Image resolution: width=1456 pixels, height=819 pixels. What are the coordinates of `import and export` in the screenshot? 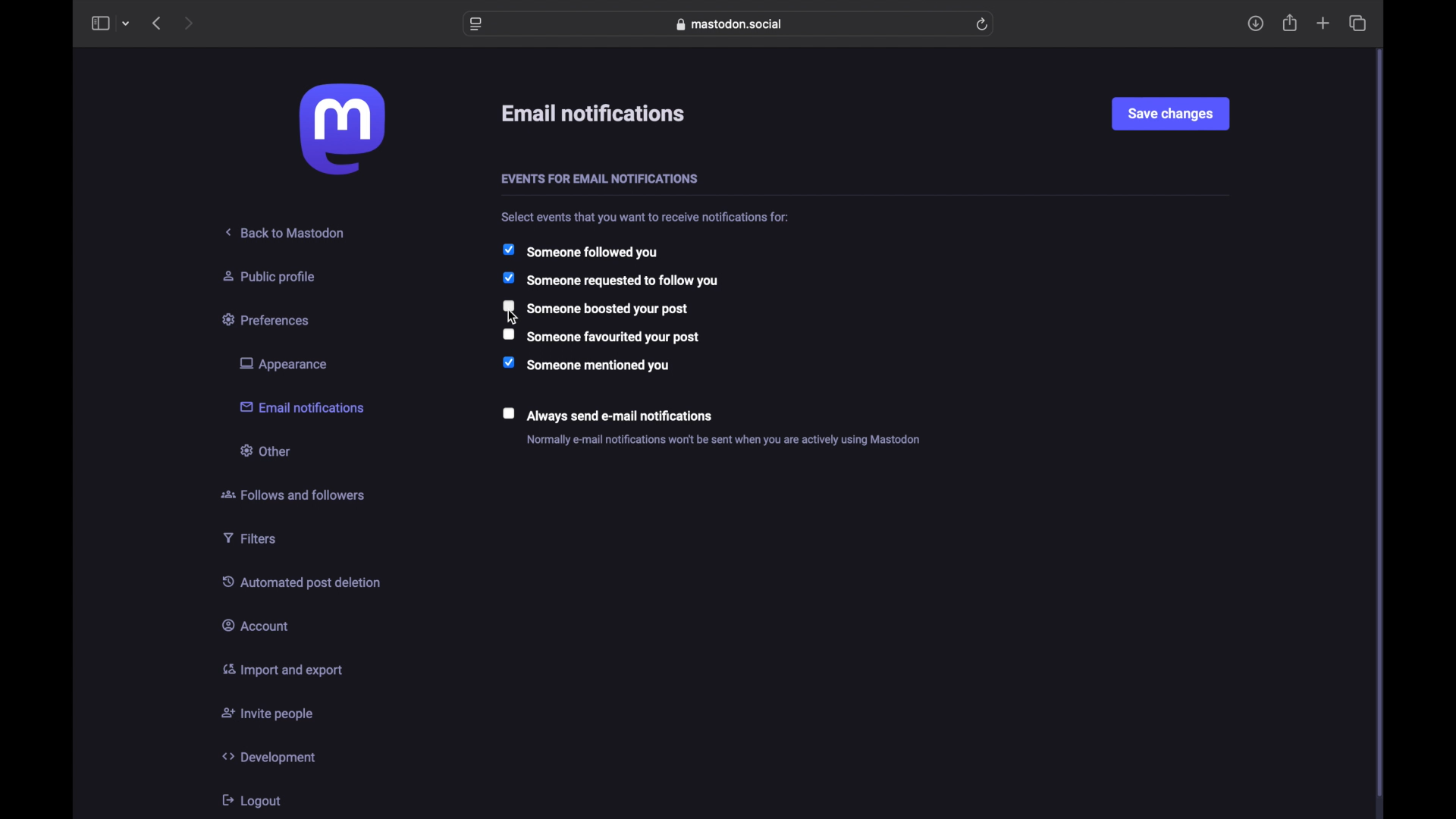 It's located at (282, 670).